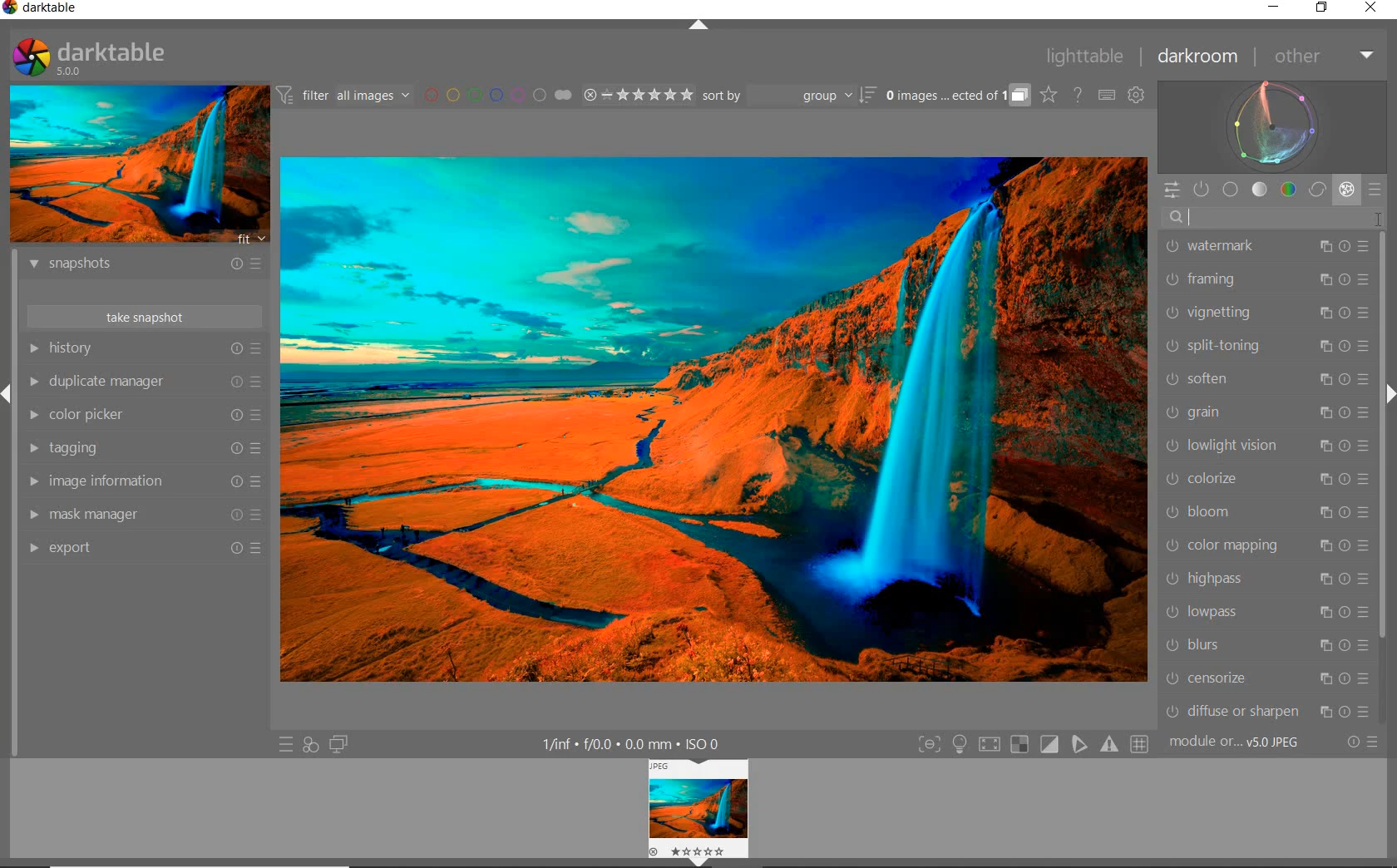 The image size is (1397, 868). What do you see at coordinates (1264, 479) in the screenshot?
I see `colorize` at bounding box center [1264, 479].